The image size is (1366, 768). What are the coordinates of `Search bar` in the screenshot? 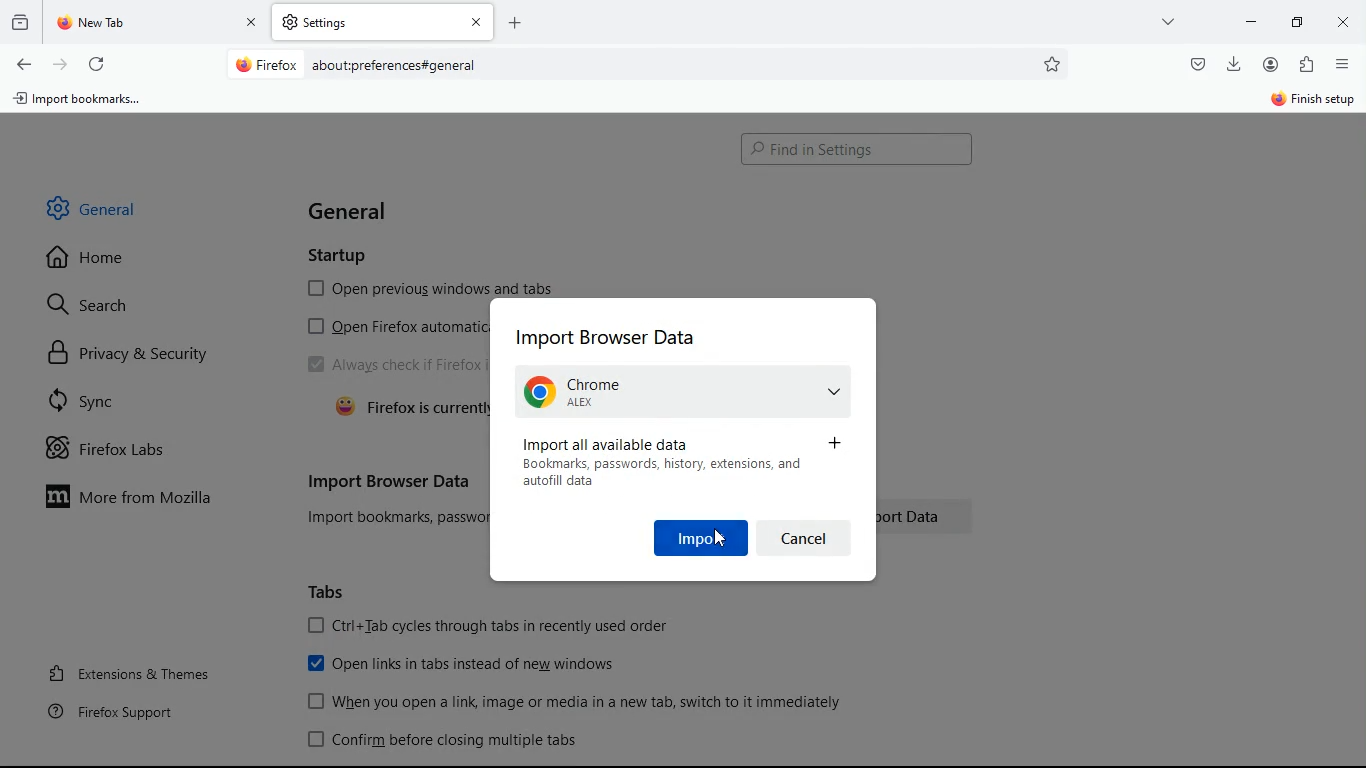 It's located at (649, 66).